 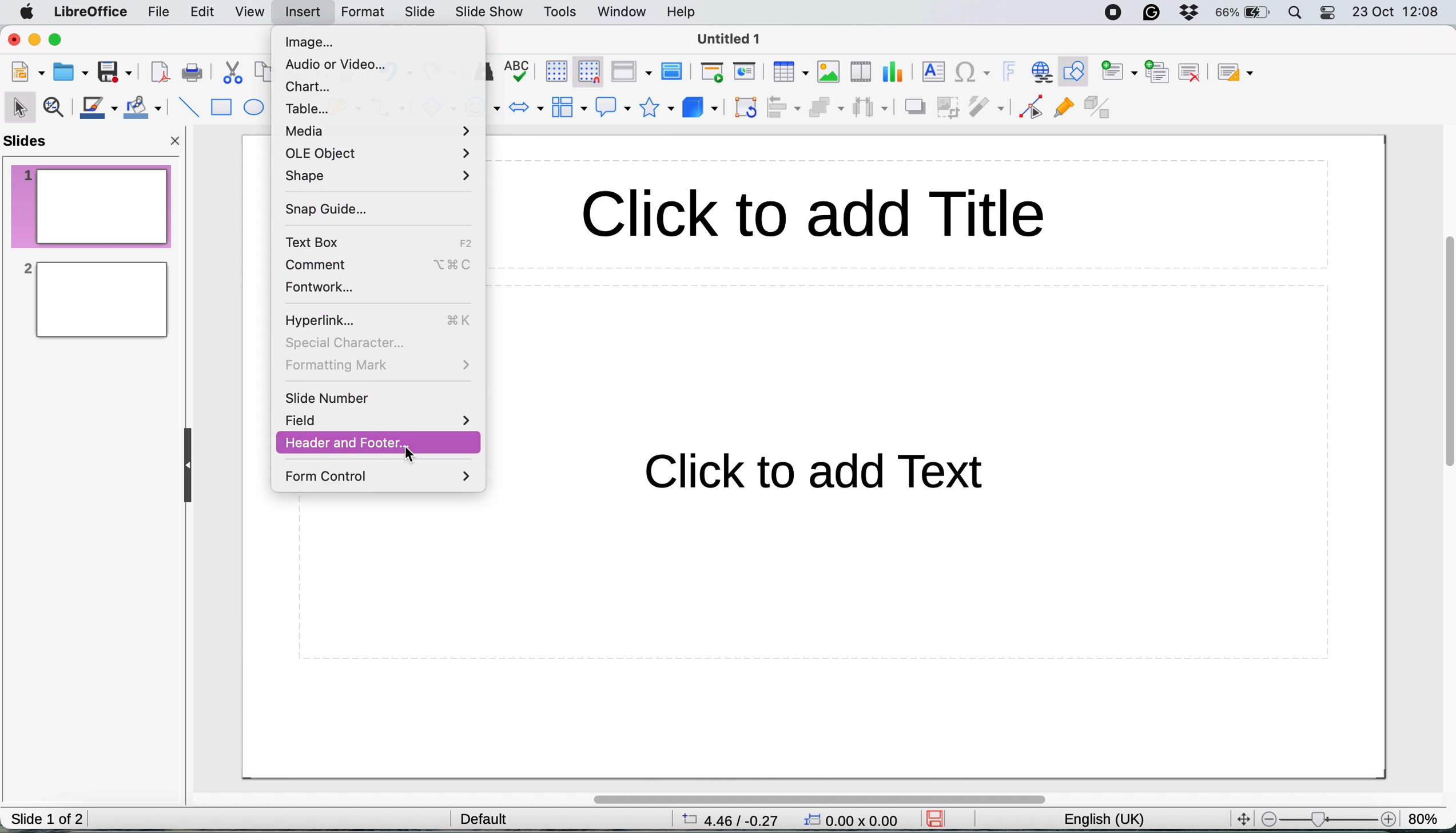 I want to click on default, so click(x=489, y=818).